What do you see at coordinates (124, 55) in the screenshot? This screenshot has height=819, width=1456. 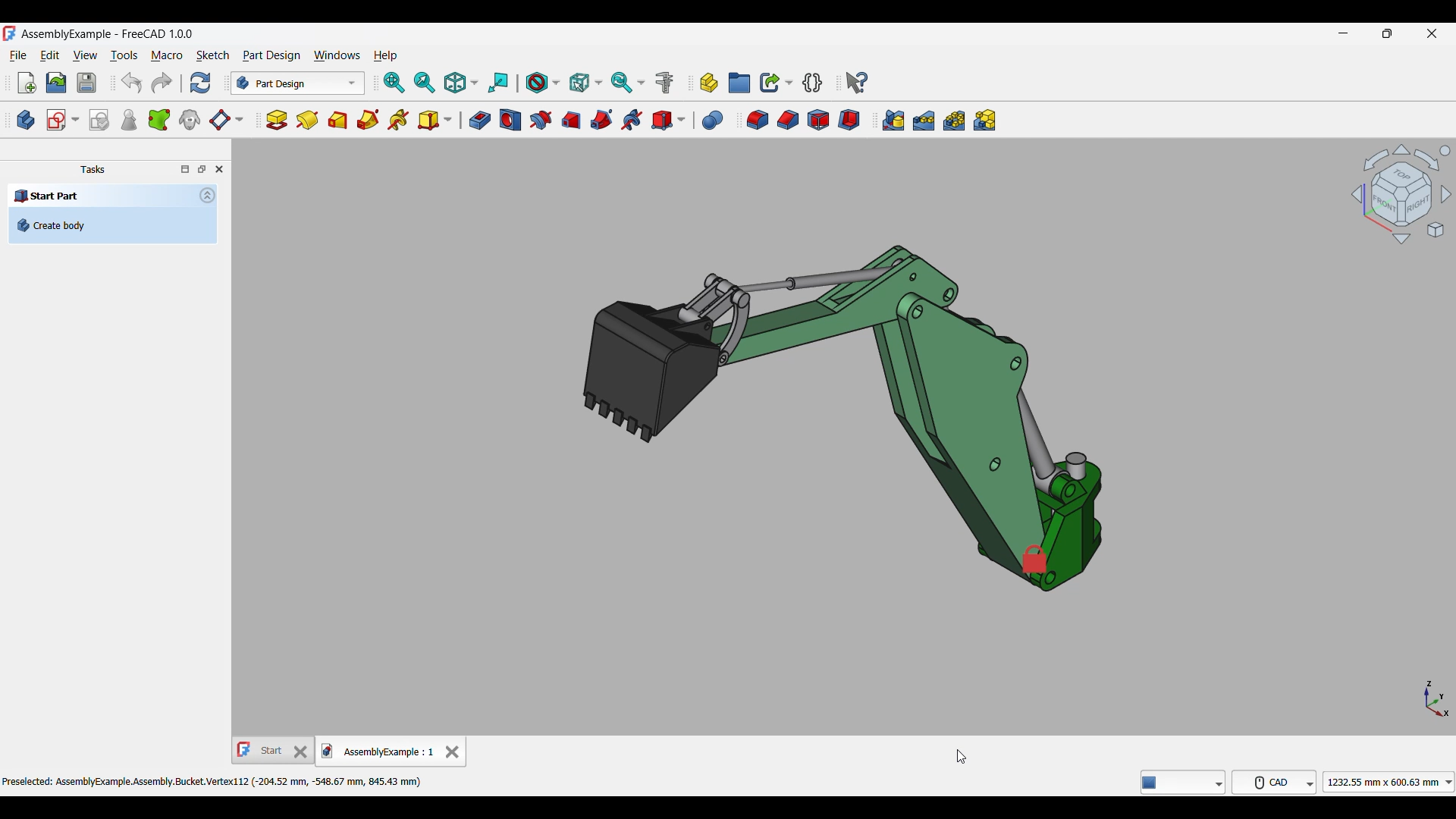 I see `Tools menu` at bounding box center [124, 55].